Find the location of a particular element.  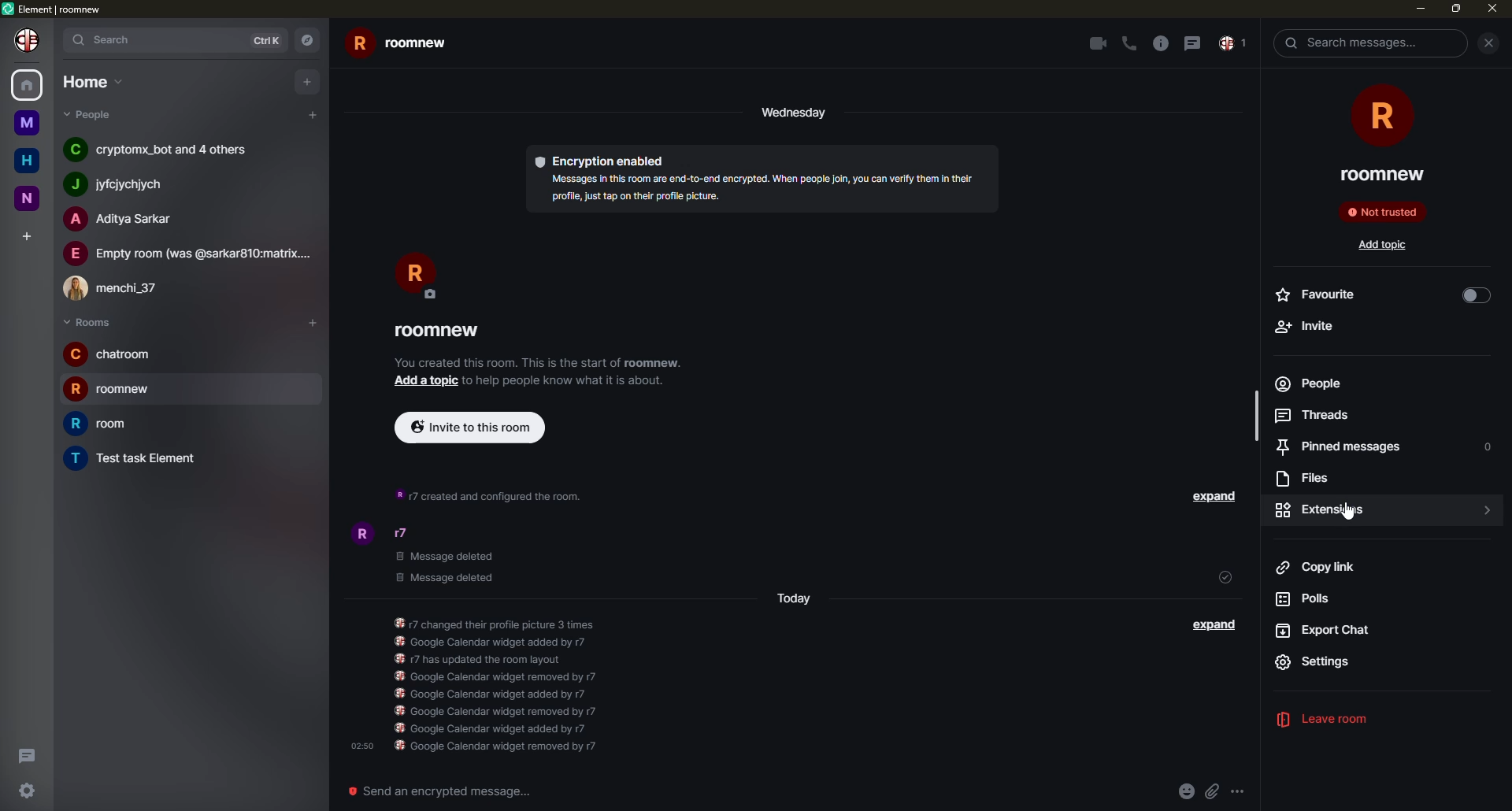

people is located at coordinates (125, 220).